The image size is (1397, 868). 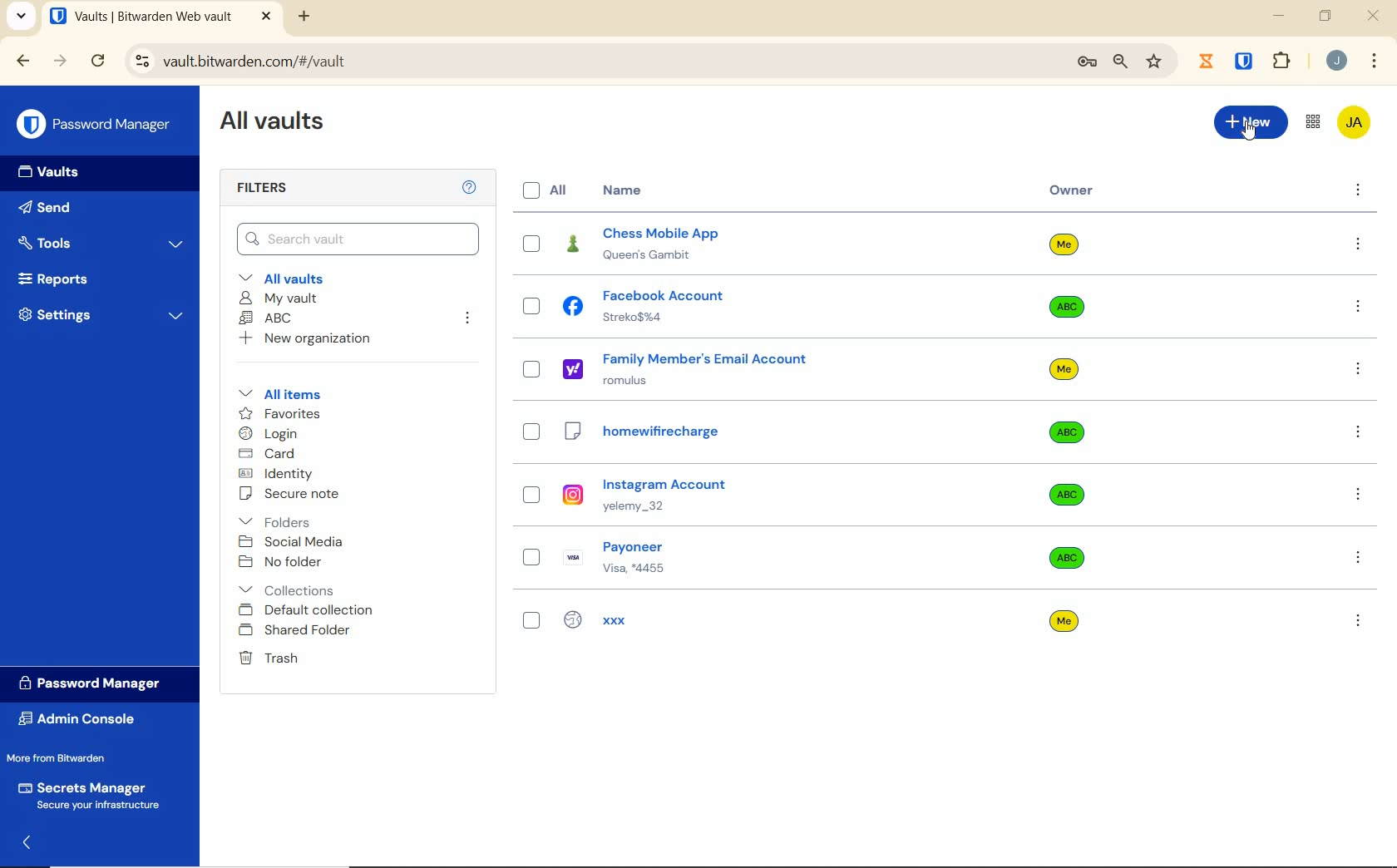 I want to click on No folder, so click(x=284, y=562).